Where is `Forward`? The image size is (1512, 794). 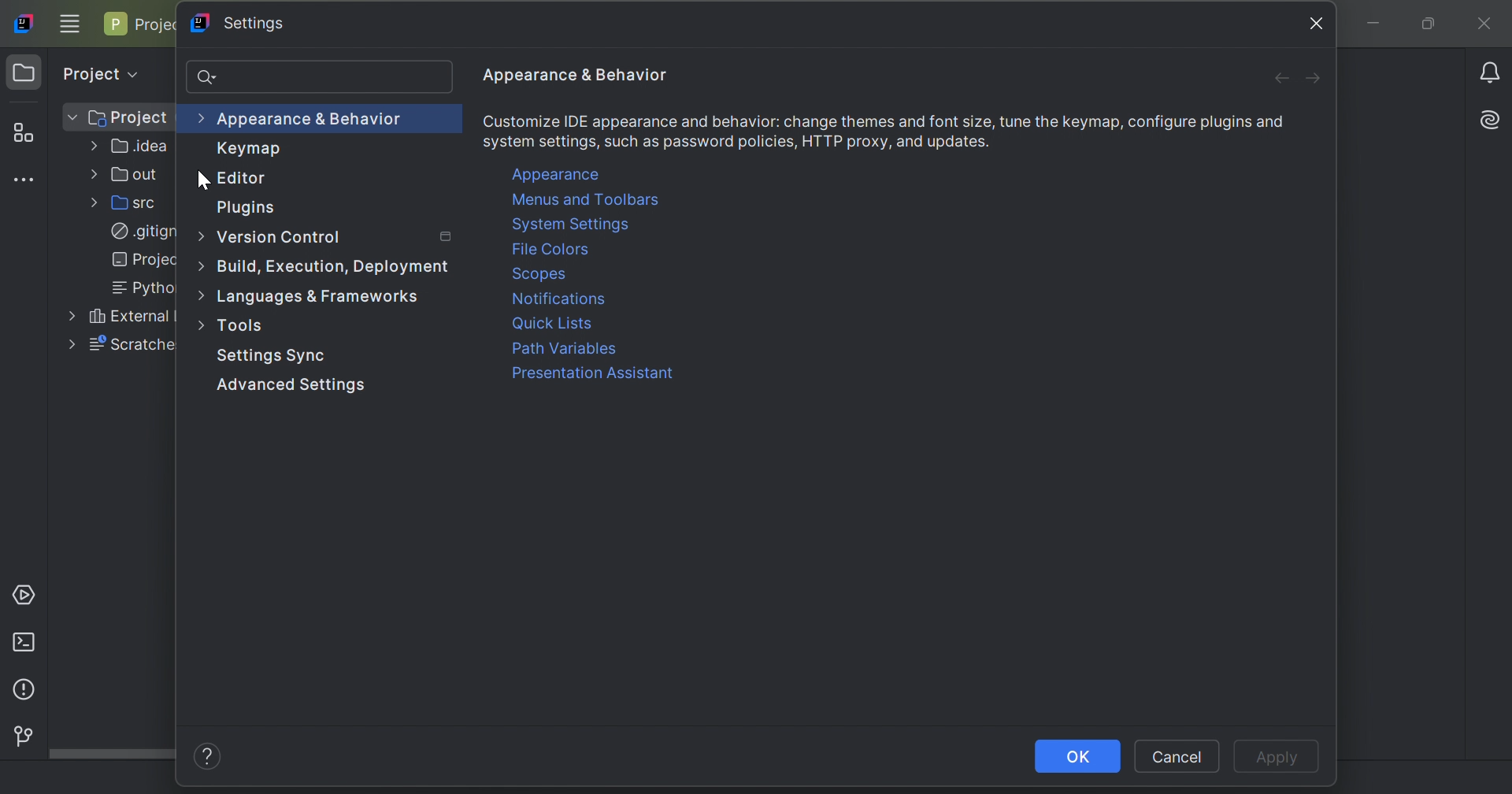 Forward is located at coordinates (1313, 80).